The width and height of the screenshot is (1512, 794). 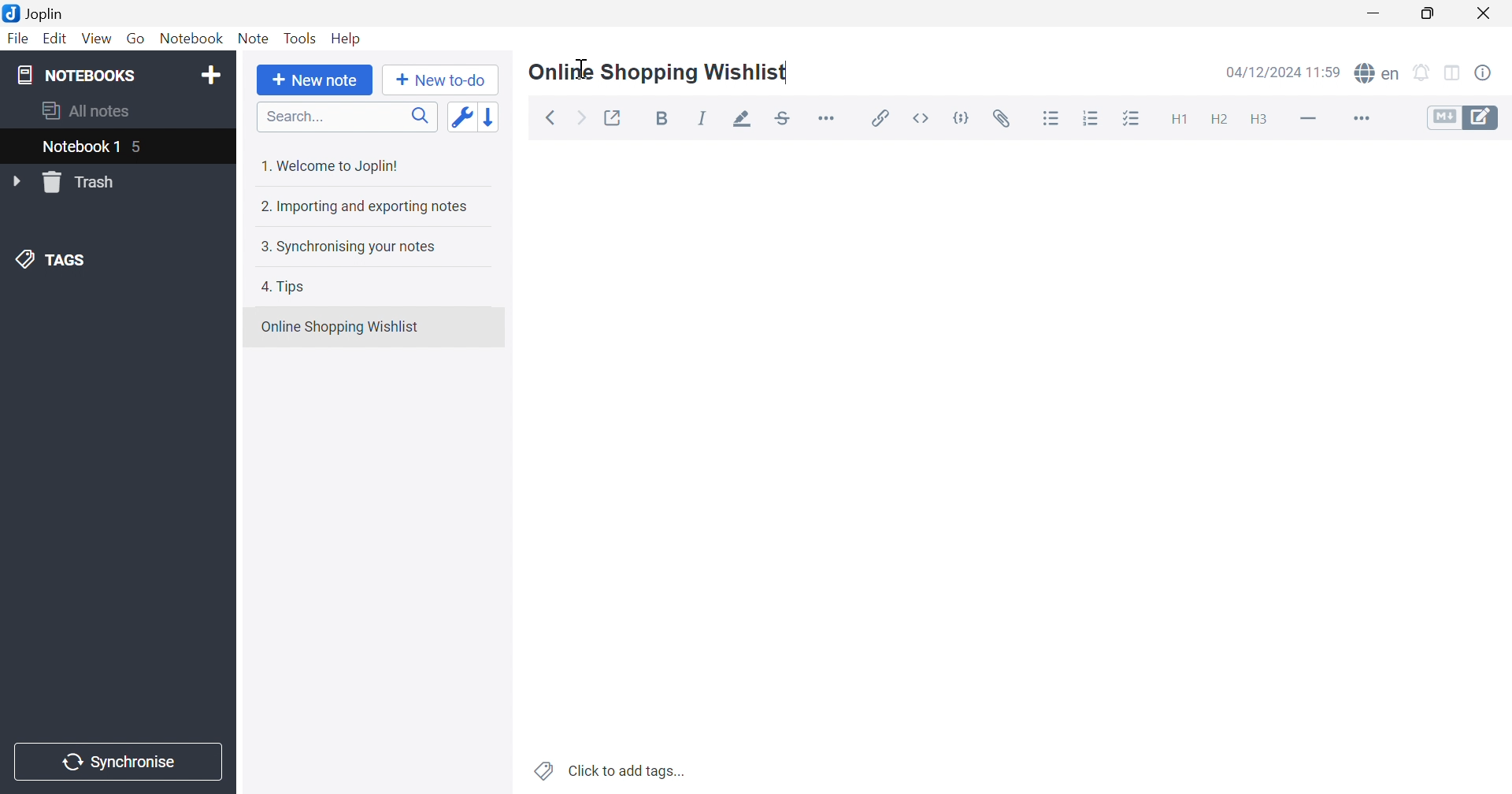 What do you see at coordinates (552, 117) in the screenshot?
I see `Back` at bounding box center [552, 117].